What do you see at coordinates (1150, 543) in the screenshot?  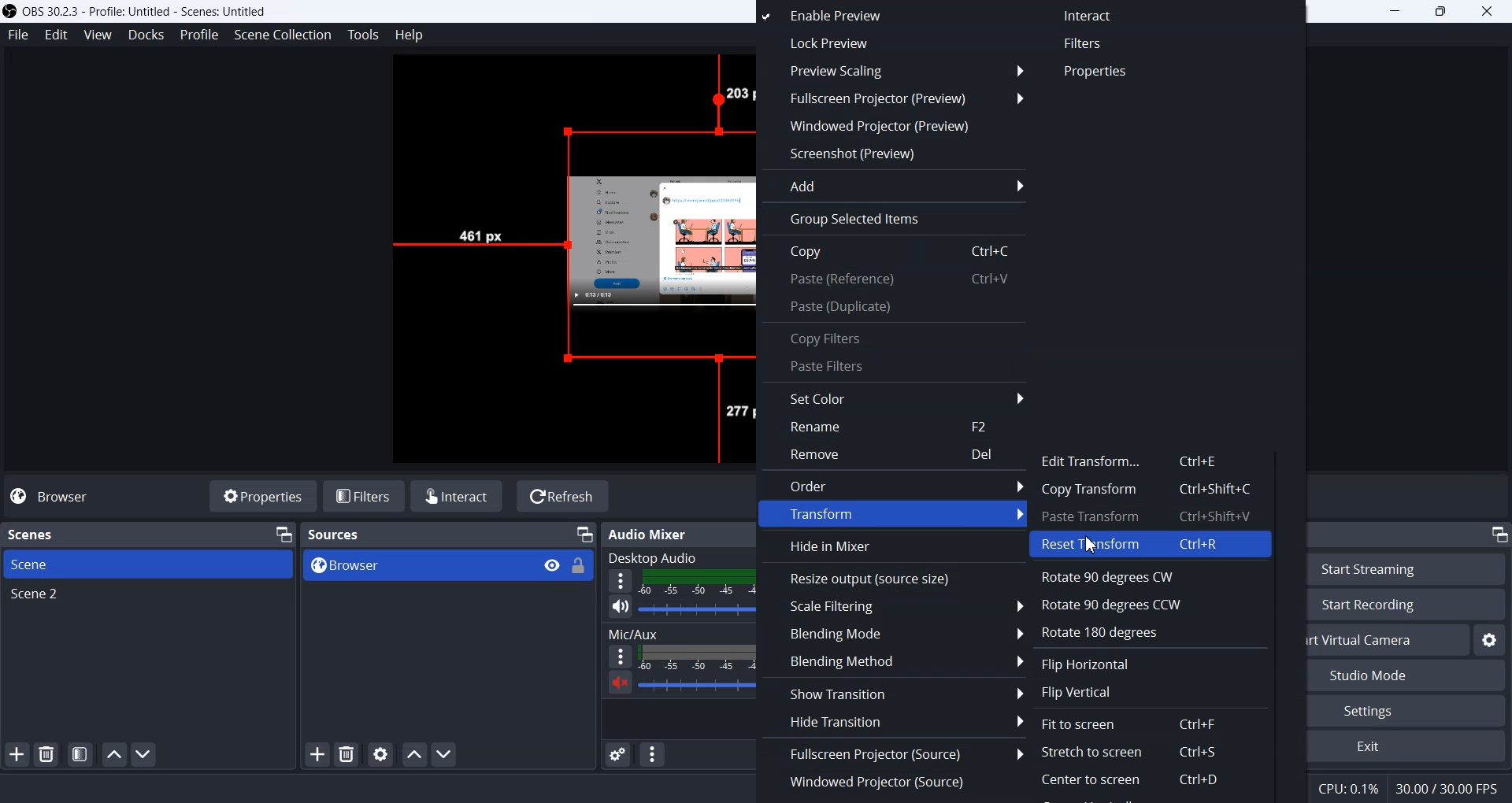 I see `Reset Transform` at bounding box center [1150, 543].